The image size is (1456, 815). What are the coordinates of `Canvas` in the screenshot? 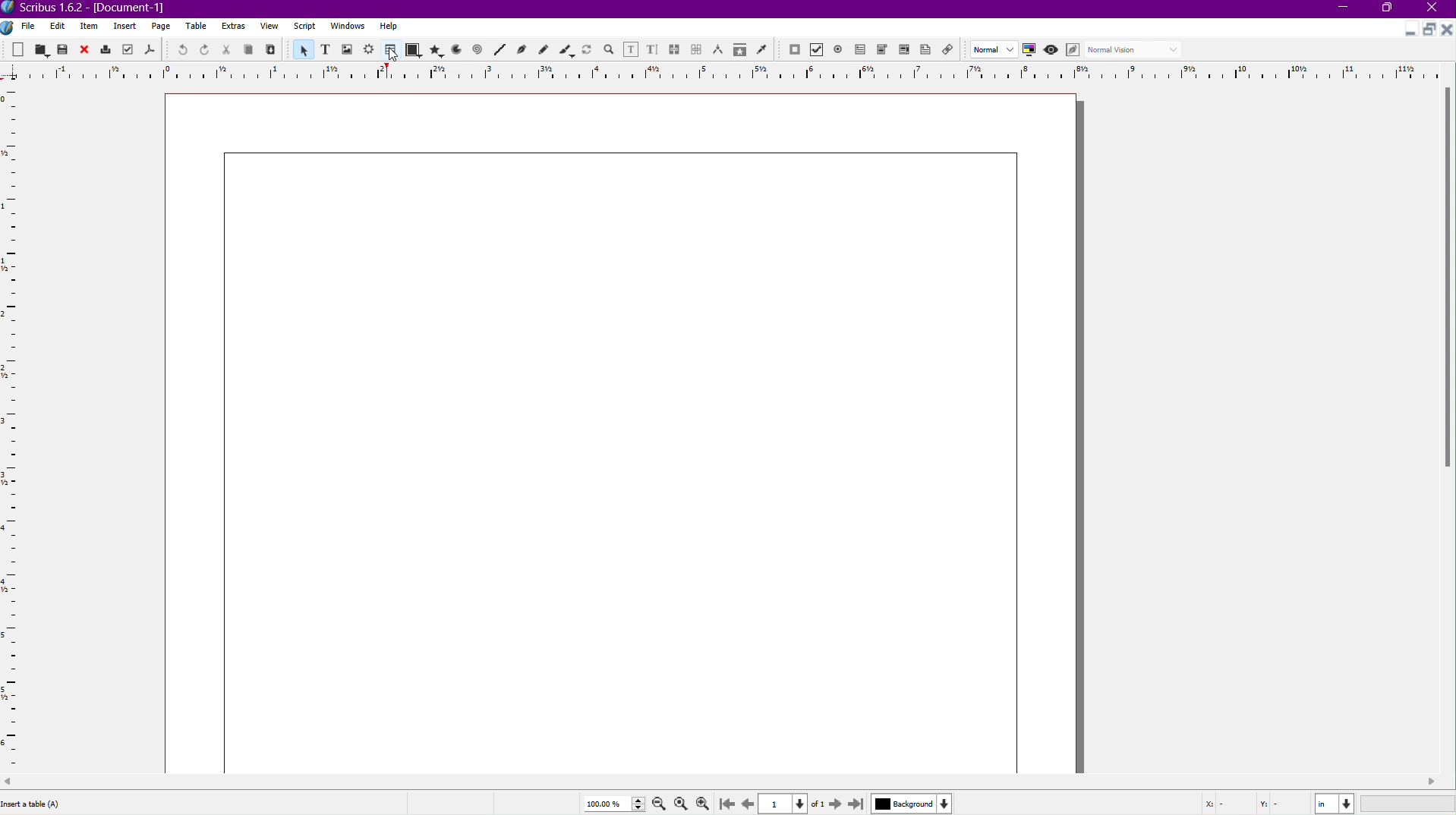 It's located at (625, 433).